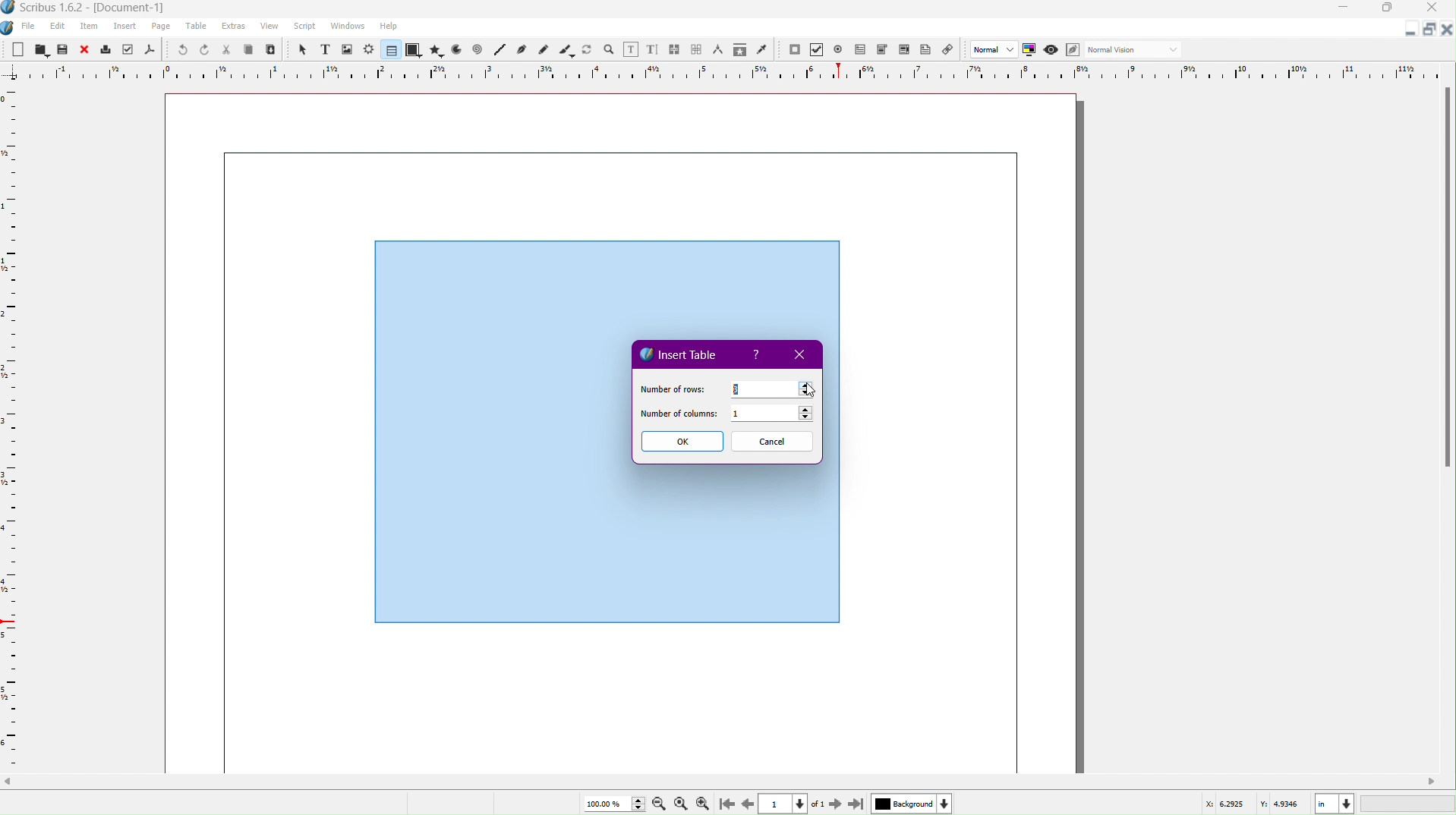  I want to click on OK, so click(681, 442).